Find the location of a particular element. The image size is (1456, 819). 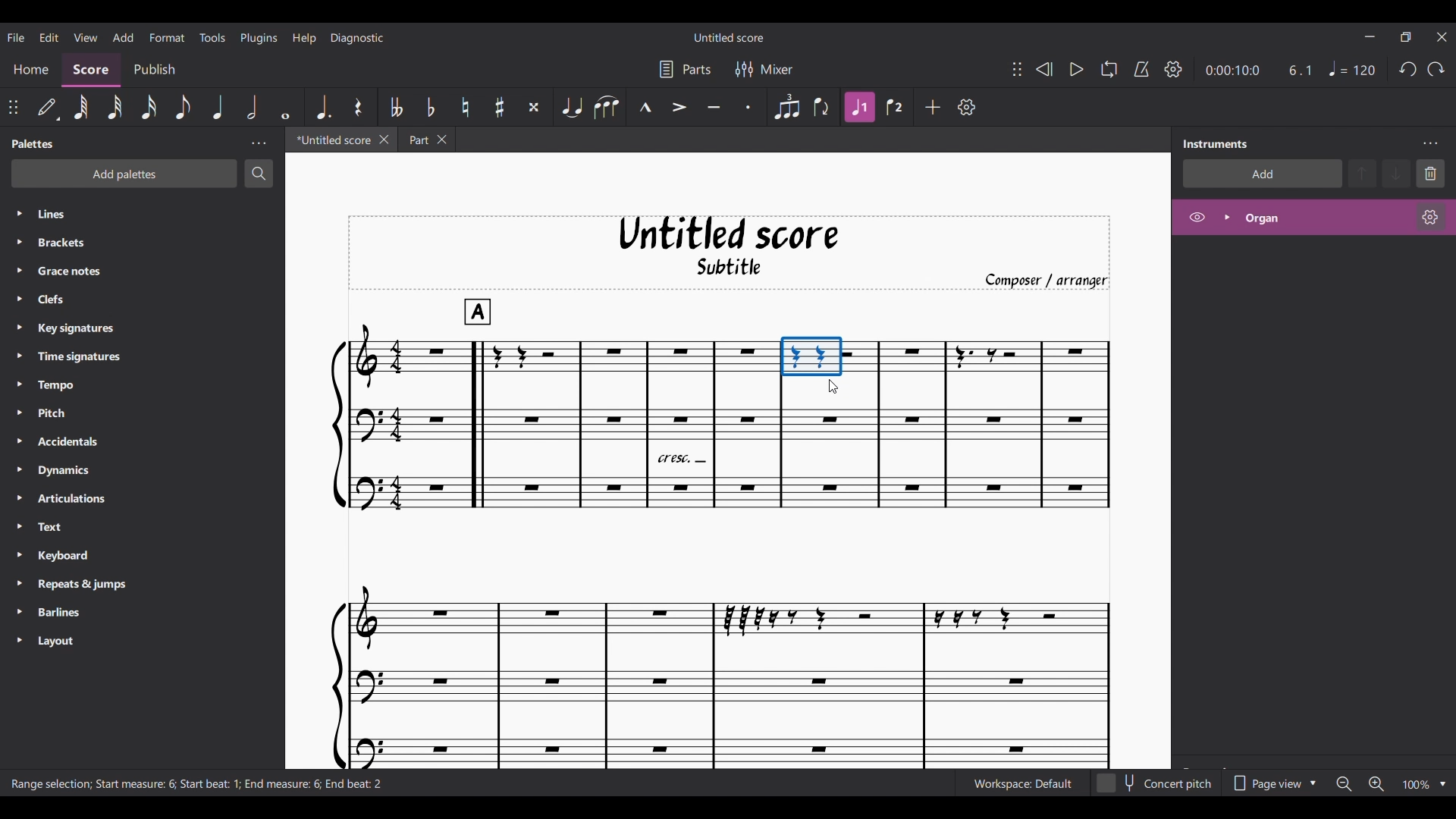

Quarter note is located at coordinates (217, 108).